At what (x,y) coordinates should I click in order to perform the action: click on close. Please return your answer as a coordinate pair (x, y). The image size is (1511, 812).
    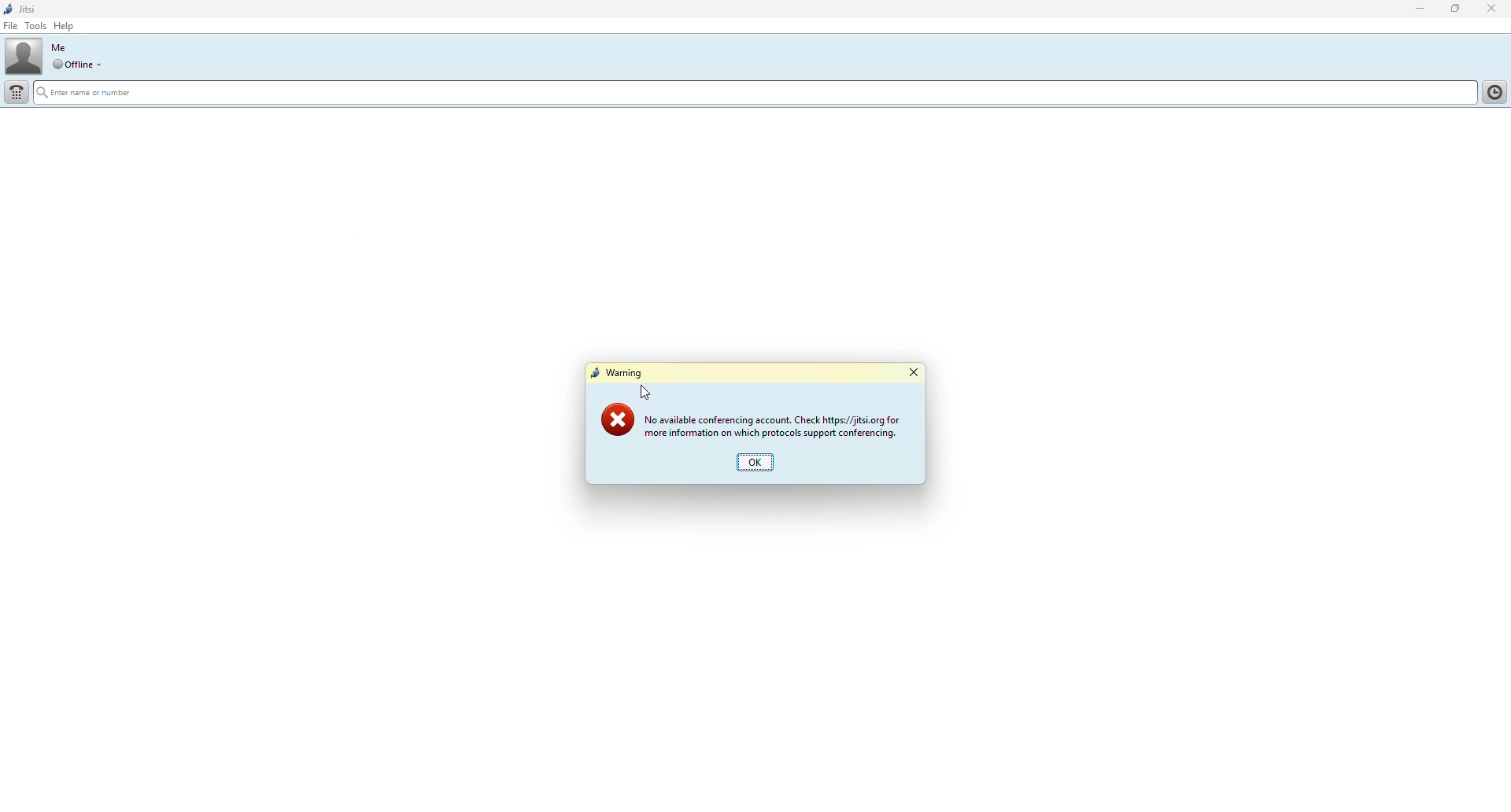
    Looking at the image, I should click on (914, 374).